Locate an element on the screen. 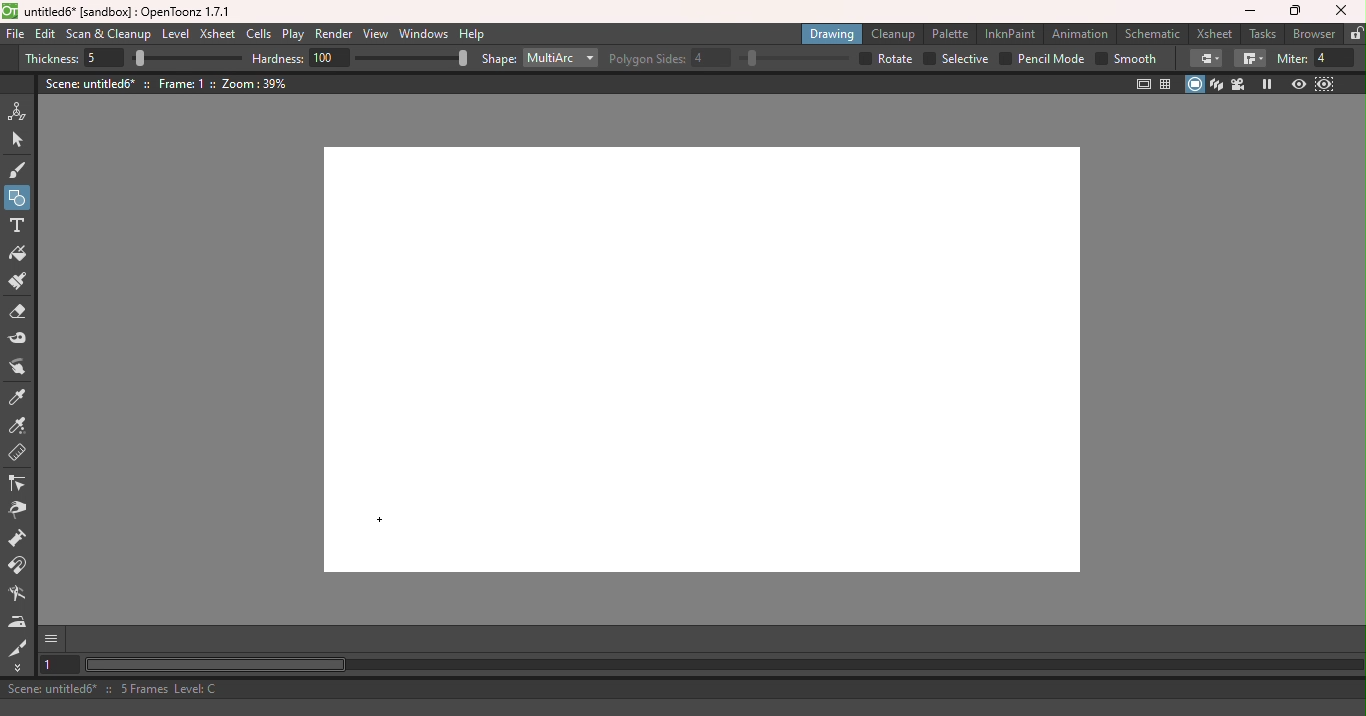 Image resolution: width=1366 pixels, height=716 pixels. Maximize is located at coordinates (1292, 13).